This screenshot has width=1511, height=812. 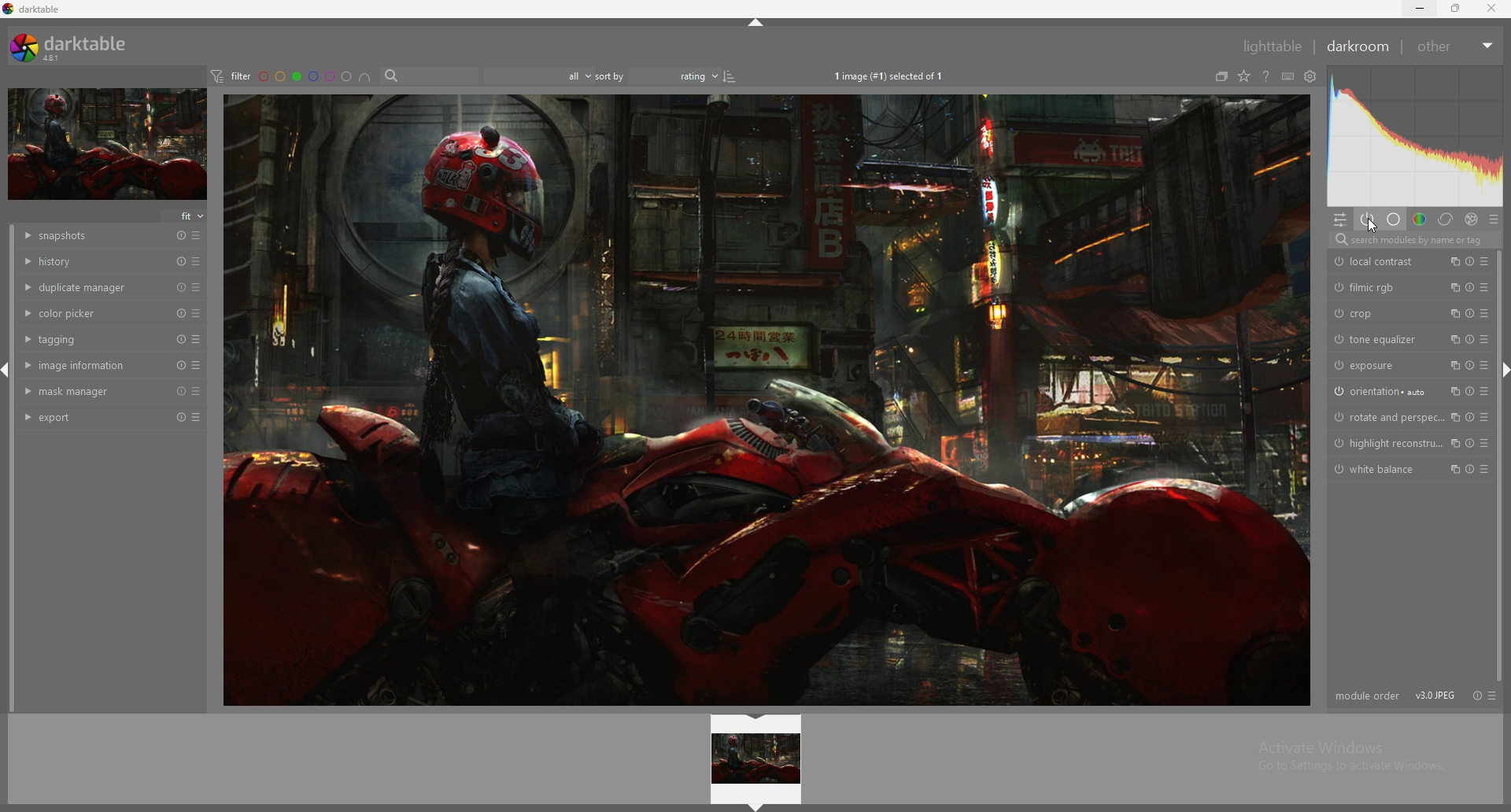 I want to click on presets, so click(x=197, y=287).